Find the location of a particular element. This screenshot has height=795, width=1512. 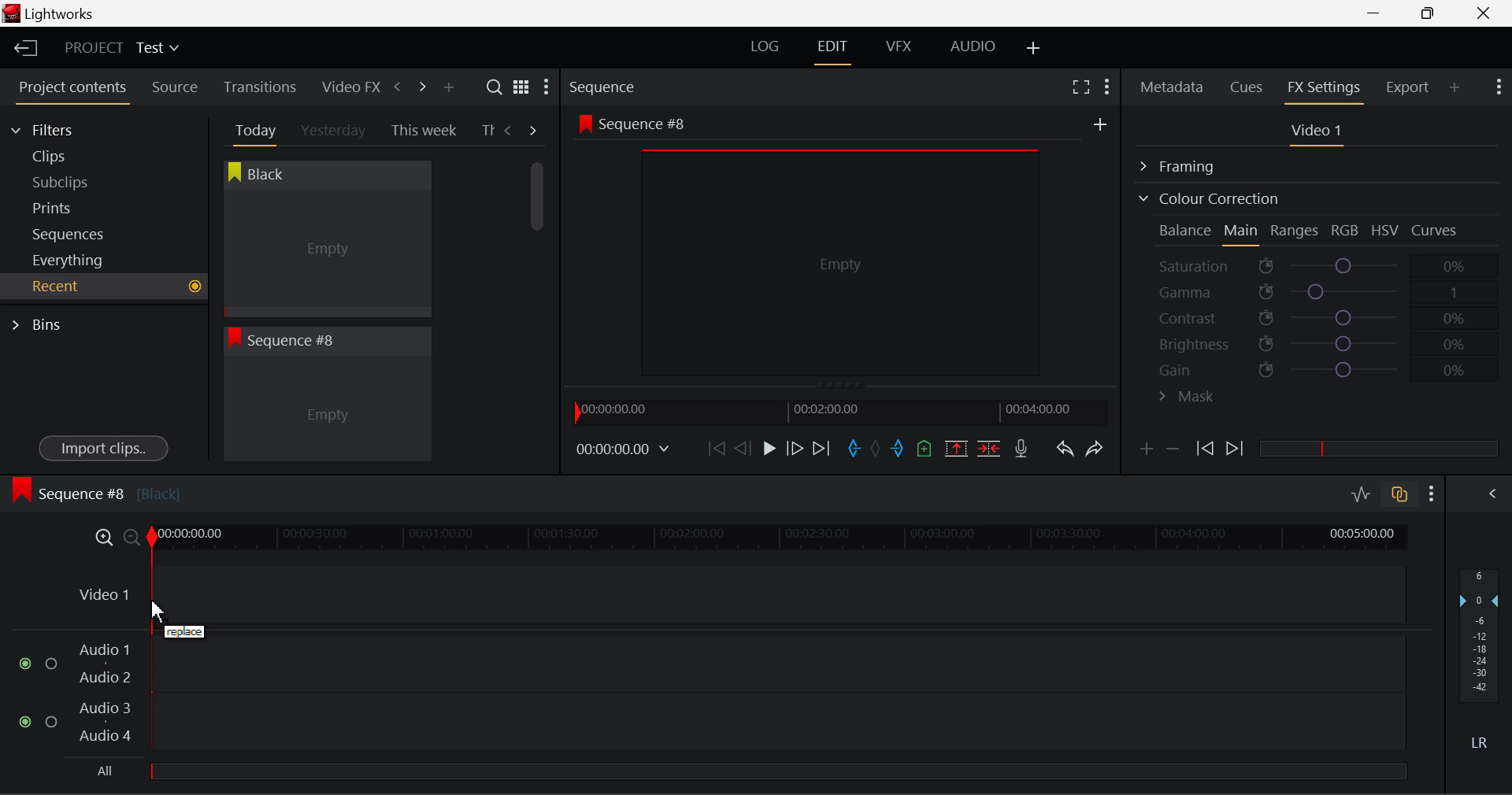

Remove All Marks is located at coordinates (877, 450).